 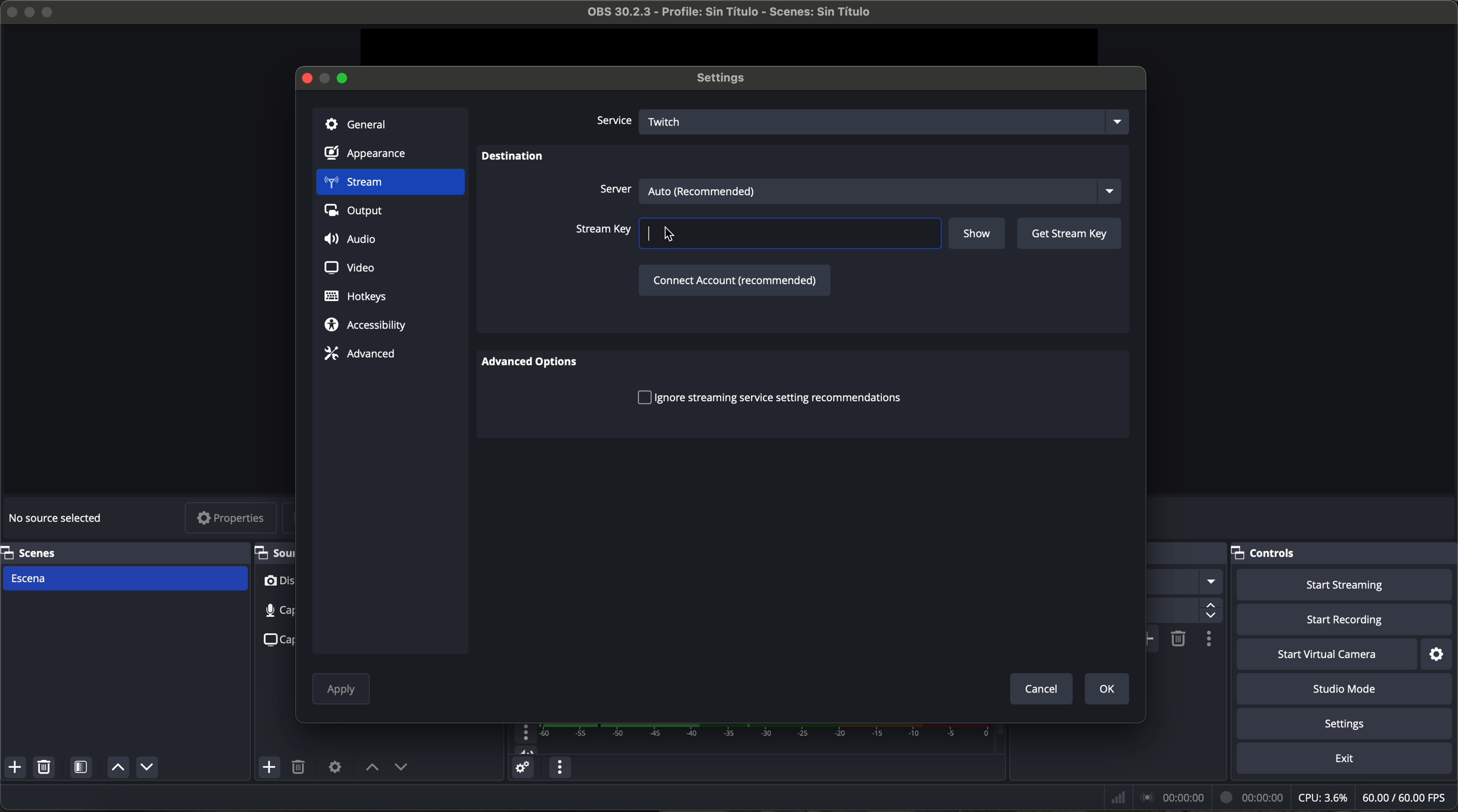 What do you see at coordinates (344, 77) in the screenshot?
I see `maximize window` at bounding box center [344, 77].